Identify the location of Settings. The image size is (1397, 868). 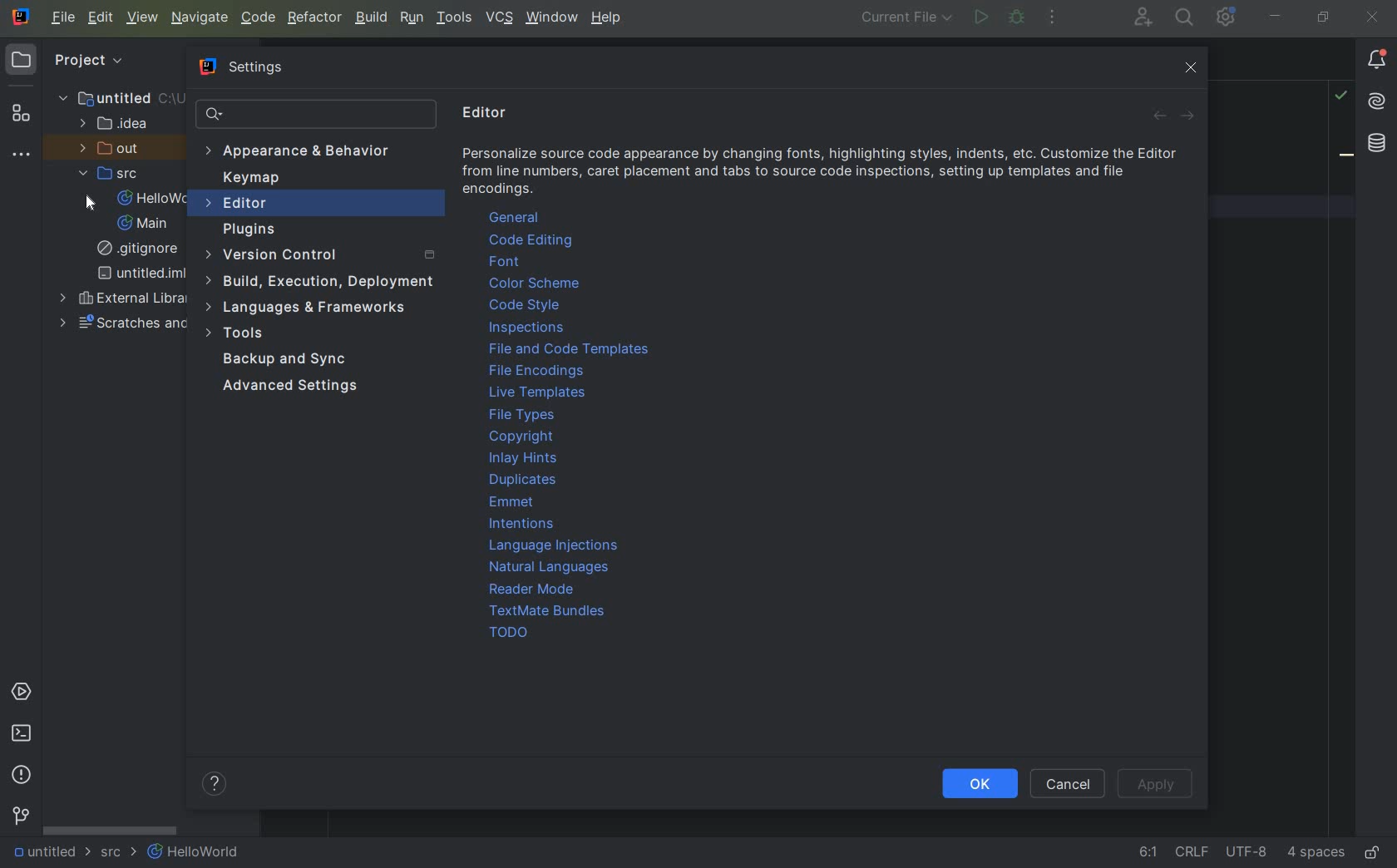
(244, 68).